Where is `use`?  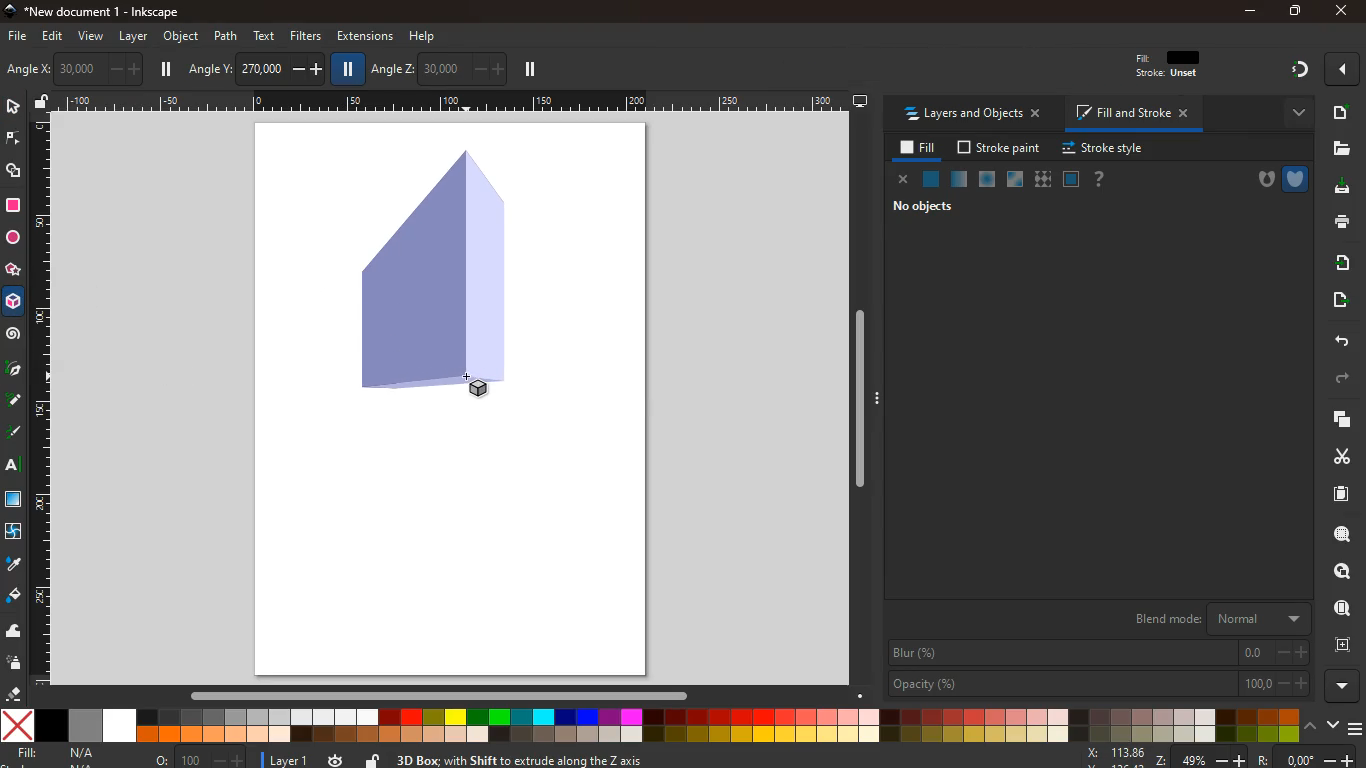 use is located at coordinates (1336, 609).